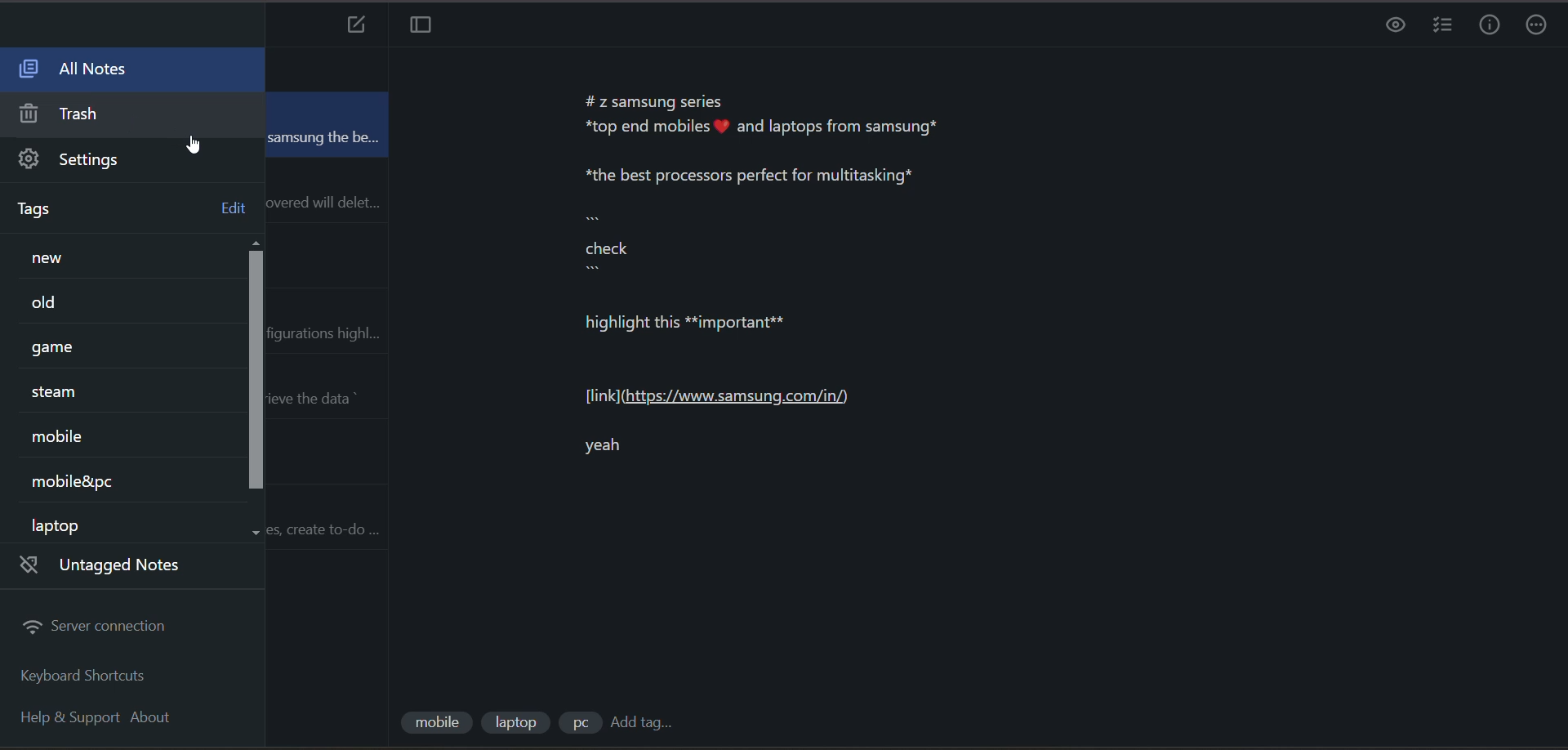  I want to click on keyboard shortcuts, so click(91, 681).